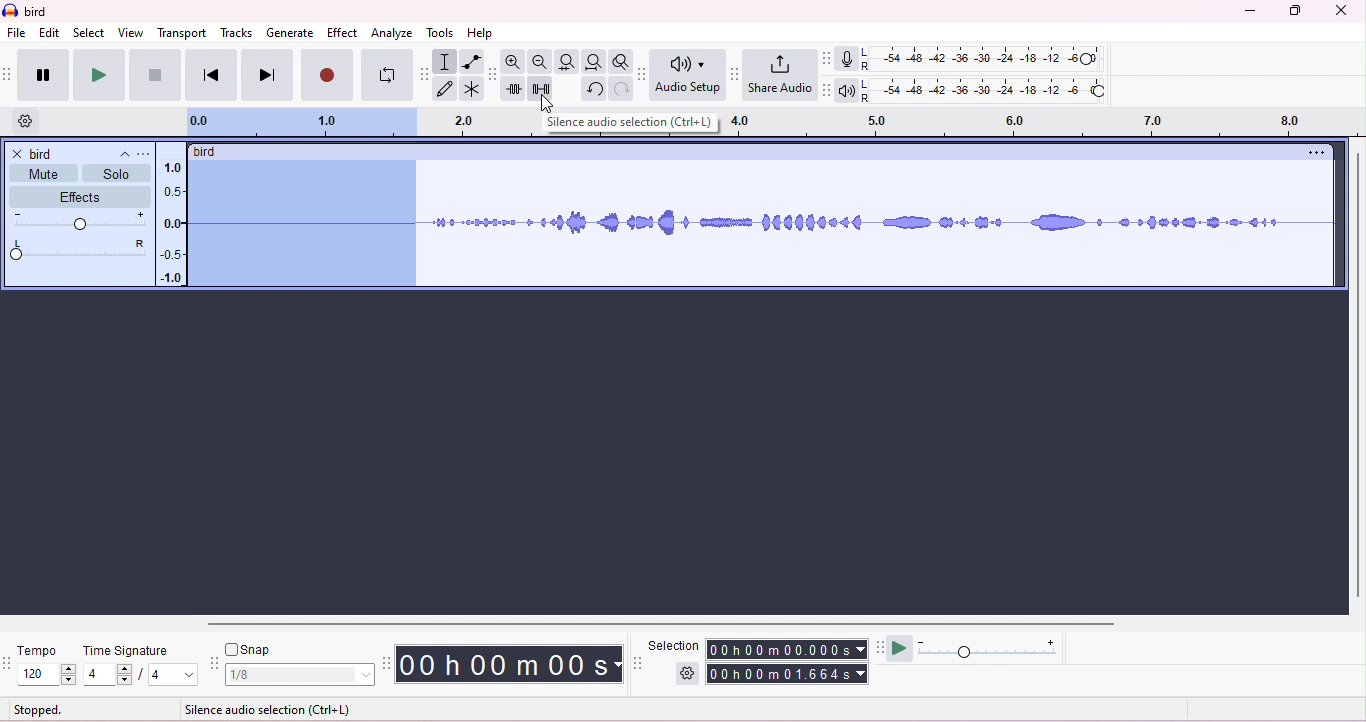  Describe the element at coordinates (214, 663) in the screenshot. I see `snap tool bar` at that location.